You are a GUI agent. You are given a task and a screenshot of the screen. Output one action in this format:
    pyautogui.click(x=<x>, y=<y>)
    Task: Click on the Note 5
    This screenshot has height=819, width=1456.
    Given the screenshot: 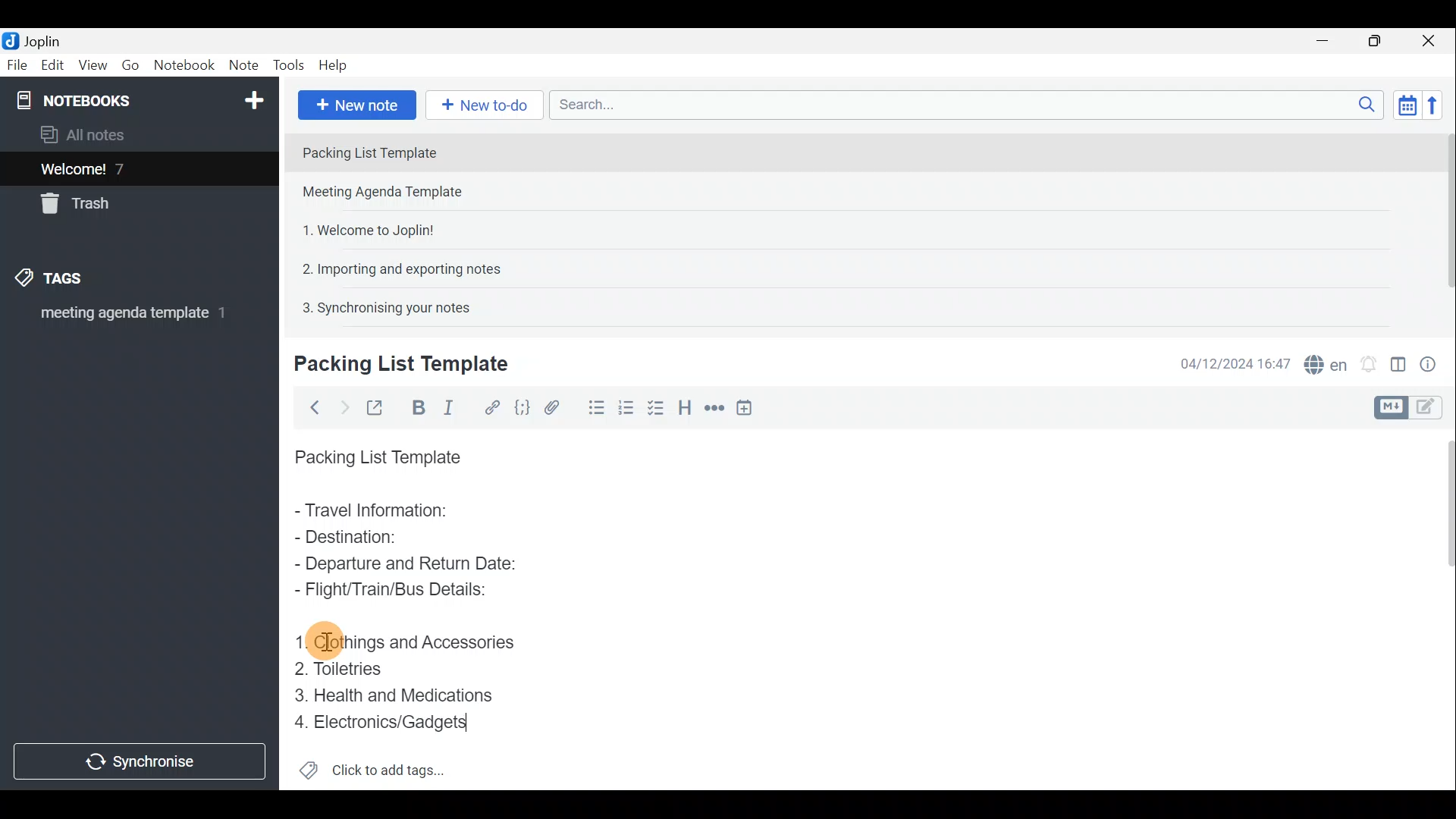 What is the action you would take?
    pyautogui.click(x=380, y=306)
    